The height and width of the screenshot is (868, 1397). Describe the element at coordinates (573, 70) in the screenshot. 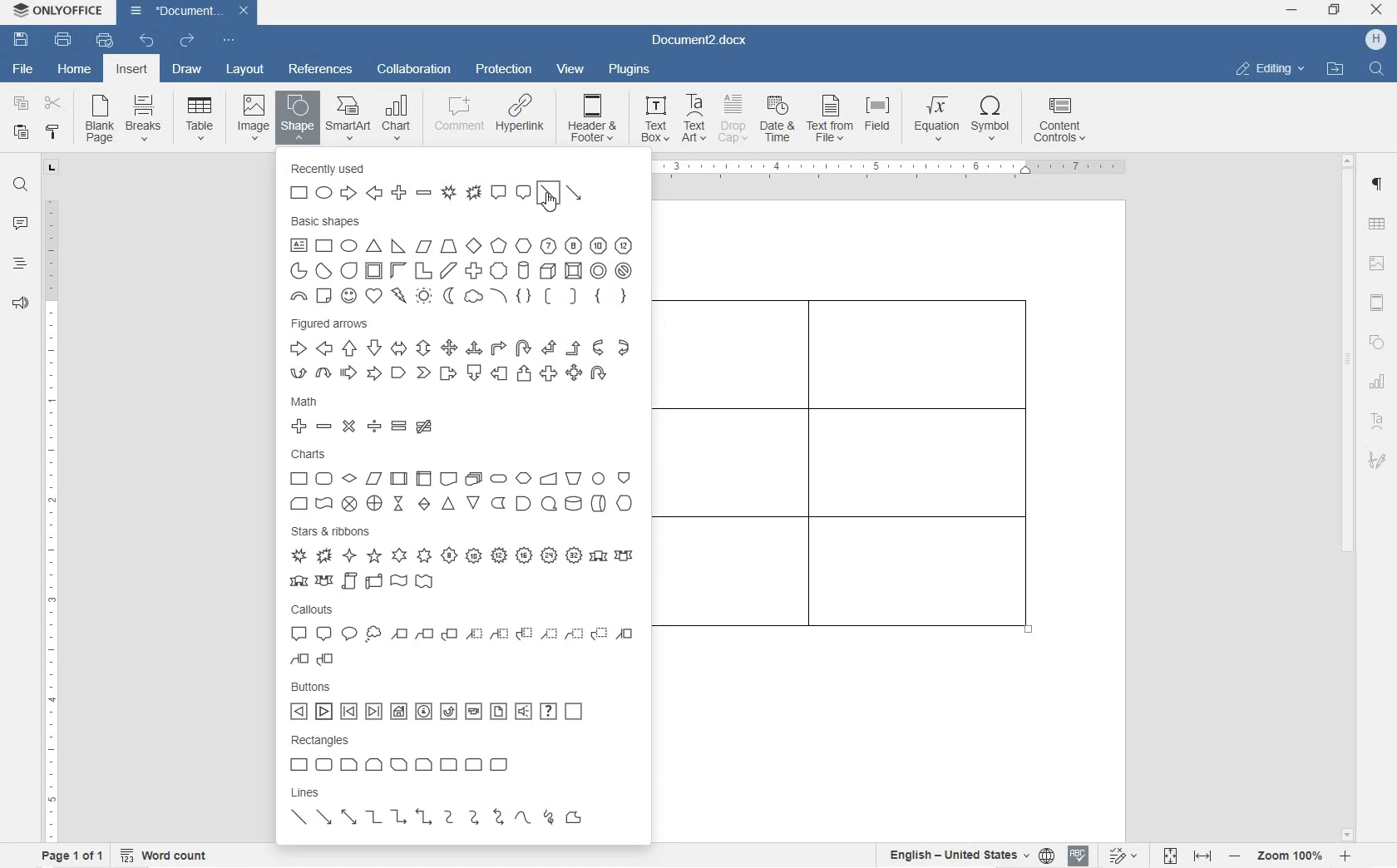

I see `view` at that location.